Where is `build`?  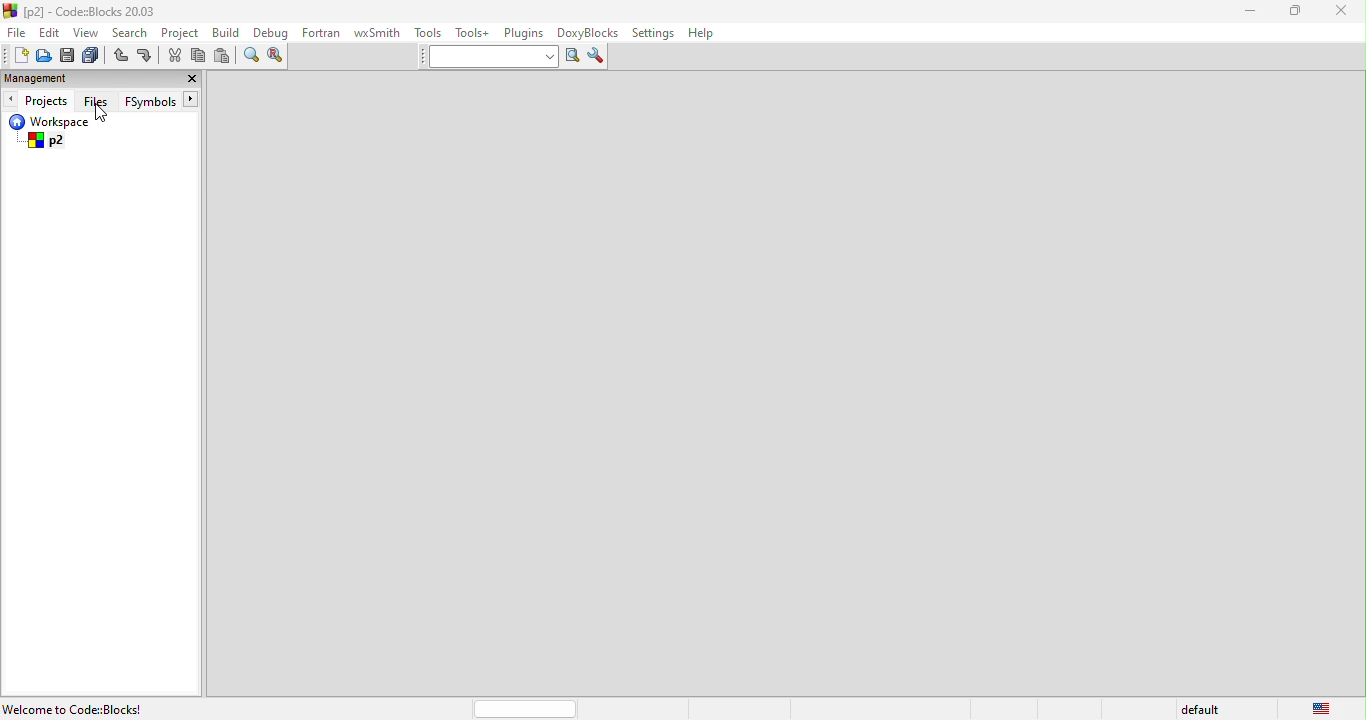
build is located at coordinates (228, 33).